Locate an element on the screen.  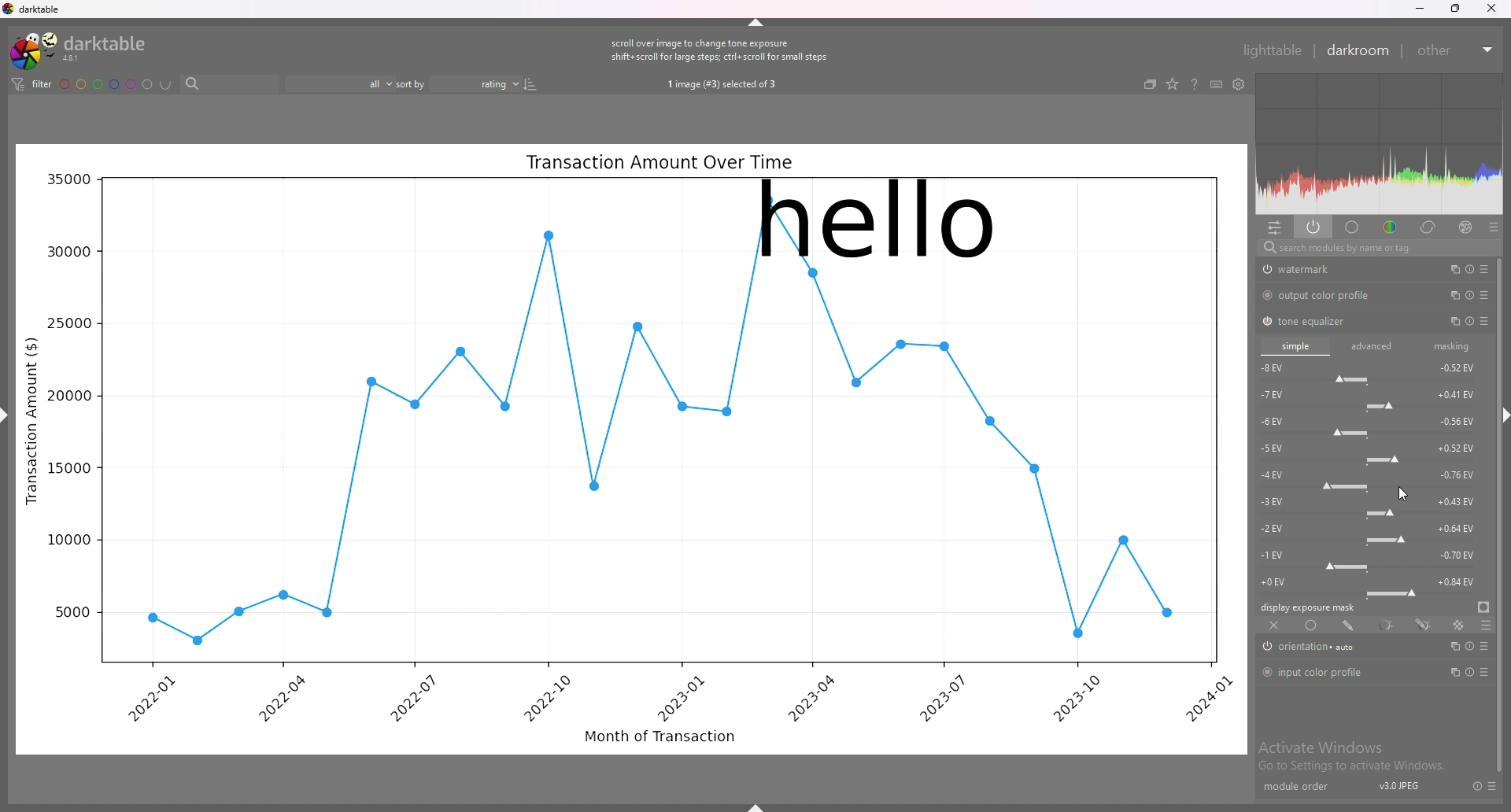
help is located at coordinates (1193, 85).